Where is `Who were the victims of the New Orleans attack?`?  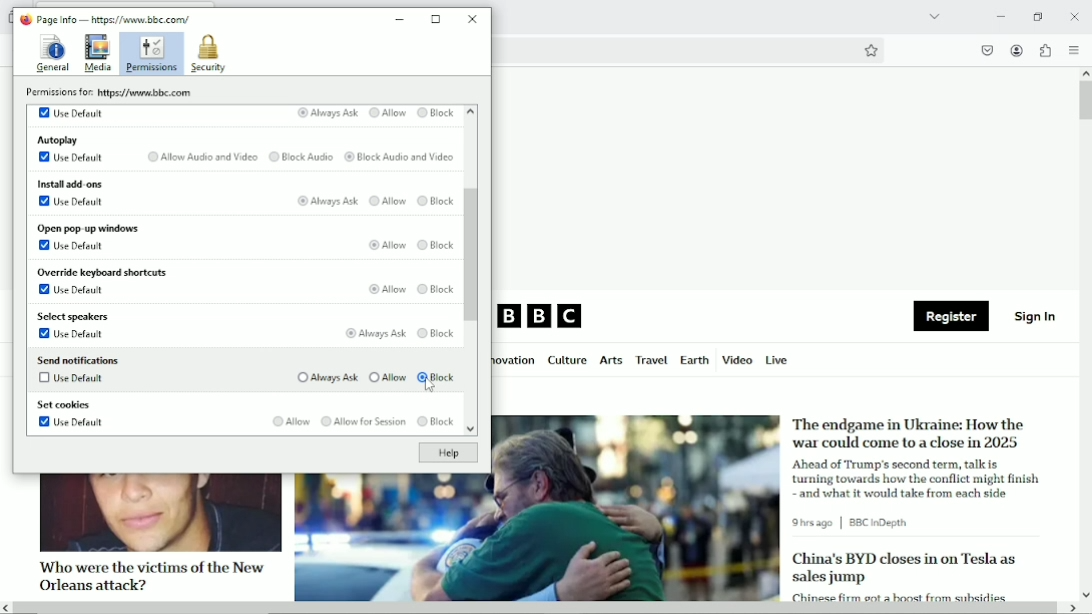 Who were the victims of the New Orleans attack? is located at coordinates (149, 575).